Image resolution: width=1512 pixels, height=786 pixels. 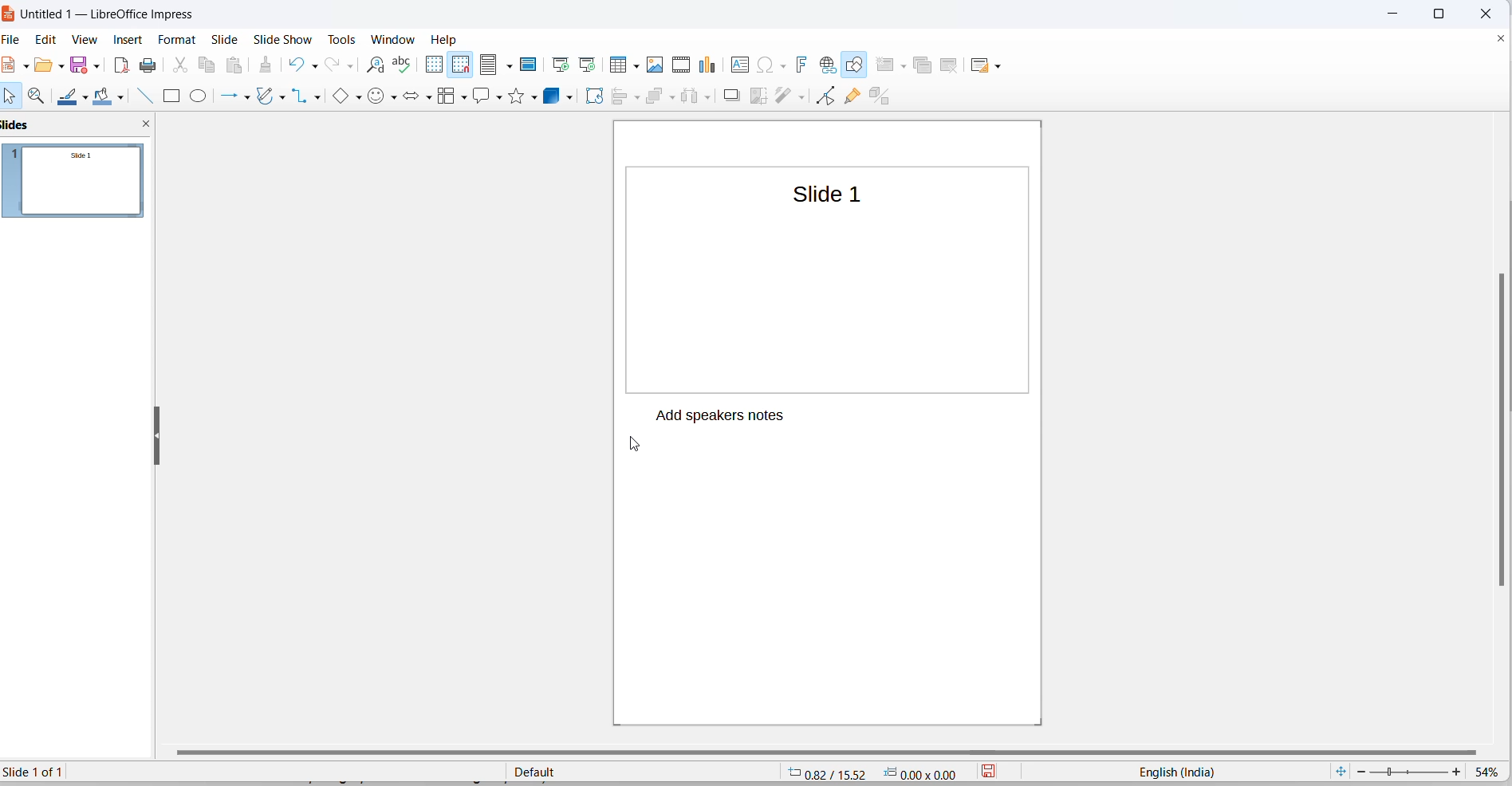 What do you see at coordinates (445, 39) in the screenshot?
I see `help` at bounding box center [445, 39].